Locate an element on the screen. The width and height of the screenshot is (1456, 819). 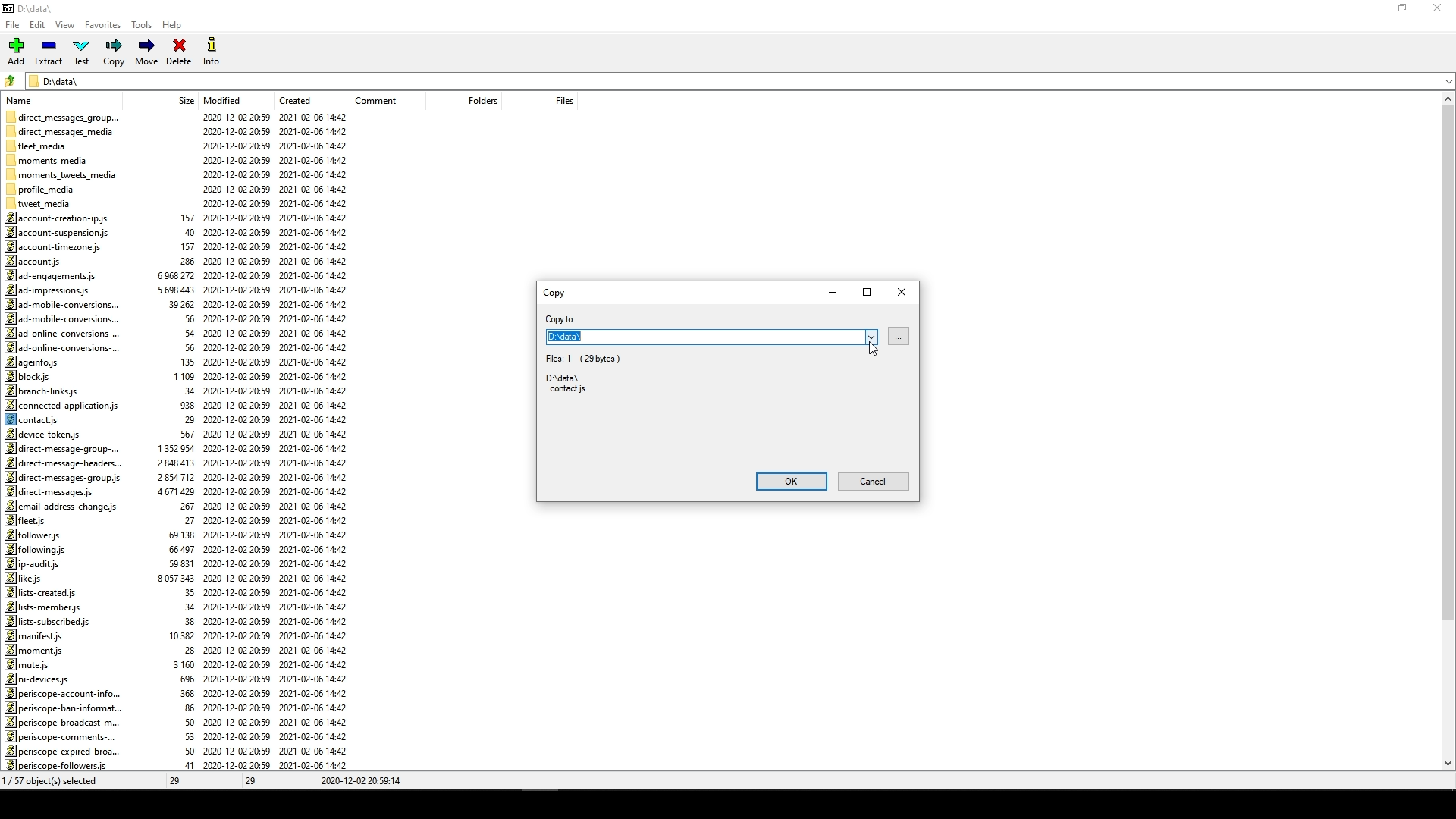
ok is located at coordinates (787, 480).